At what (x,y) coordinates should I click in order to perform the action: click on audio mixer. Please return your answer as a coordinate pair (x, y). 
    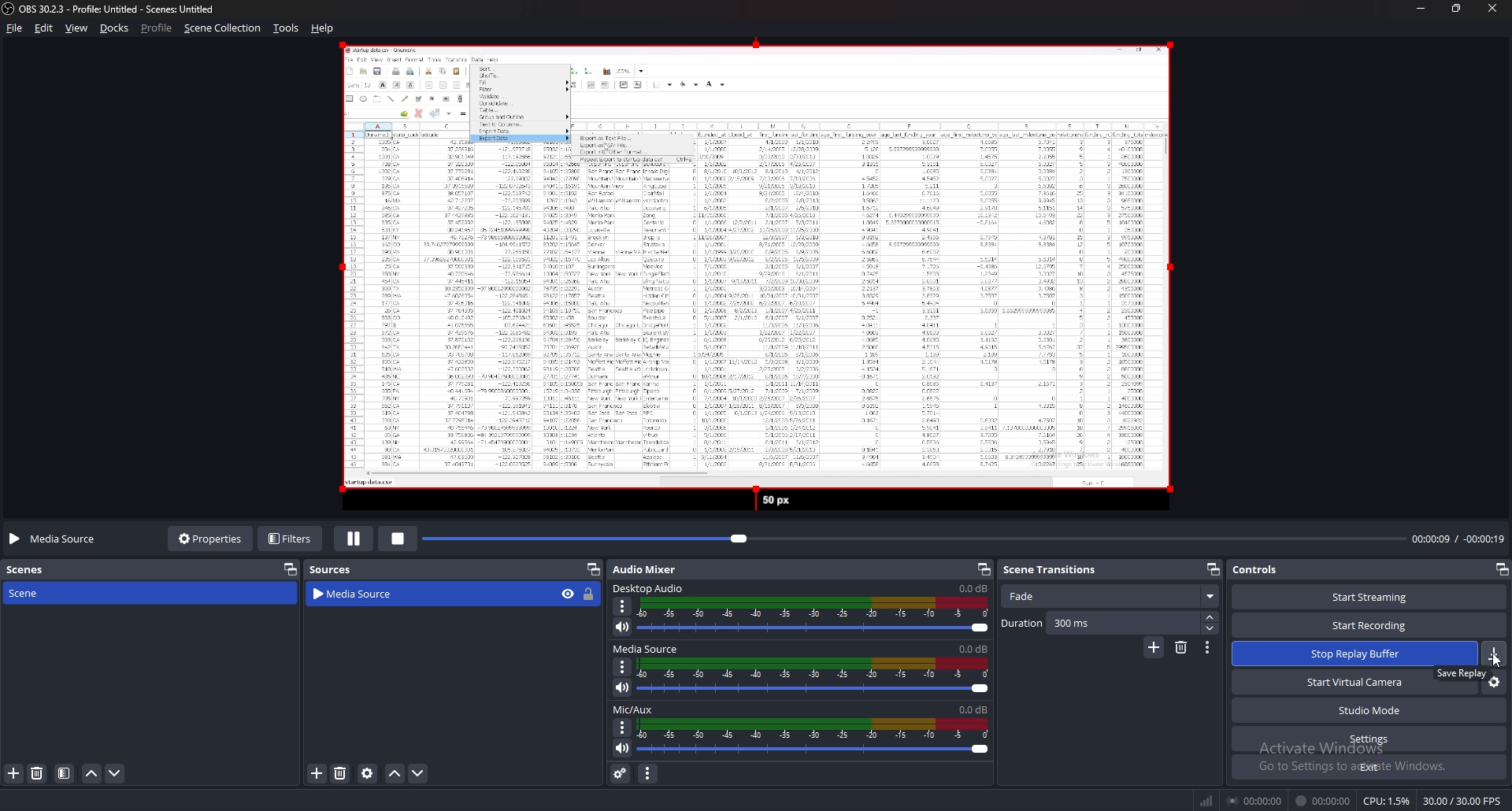
    Looking at the image, I should click on (645, 569).